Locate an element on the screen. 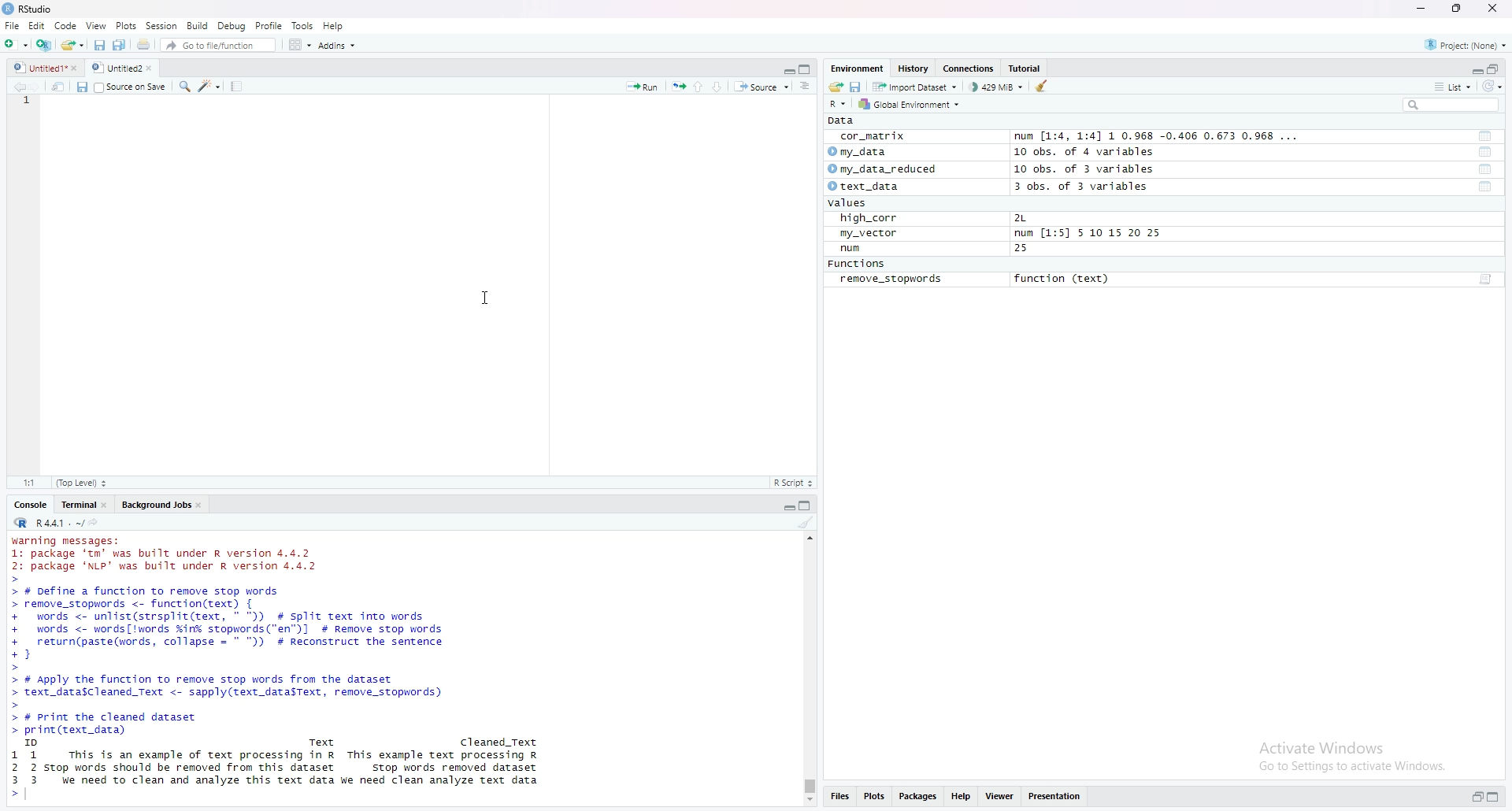 The image size is (1512, 811). Profile is located at coordinates (269, 26).